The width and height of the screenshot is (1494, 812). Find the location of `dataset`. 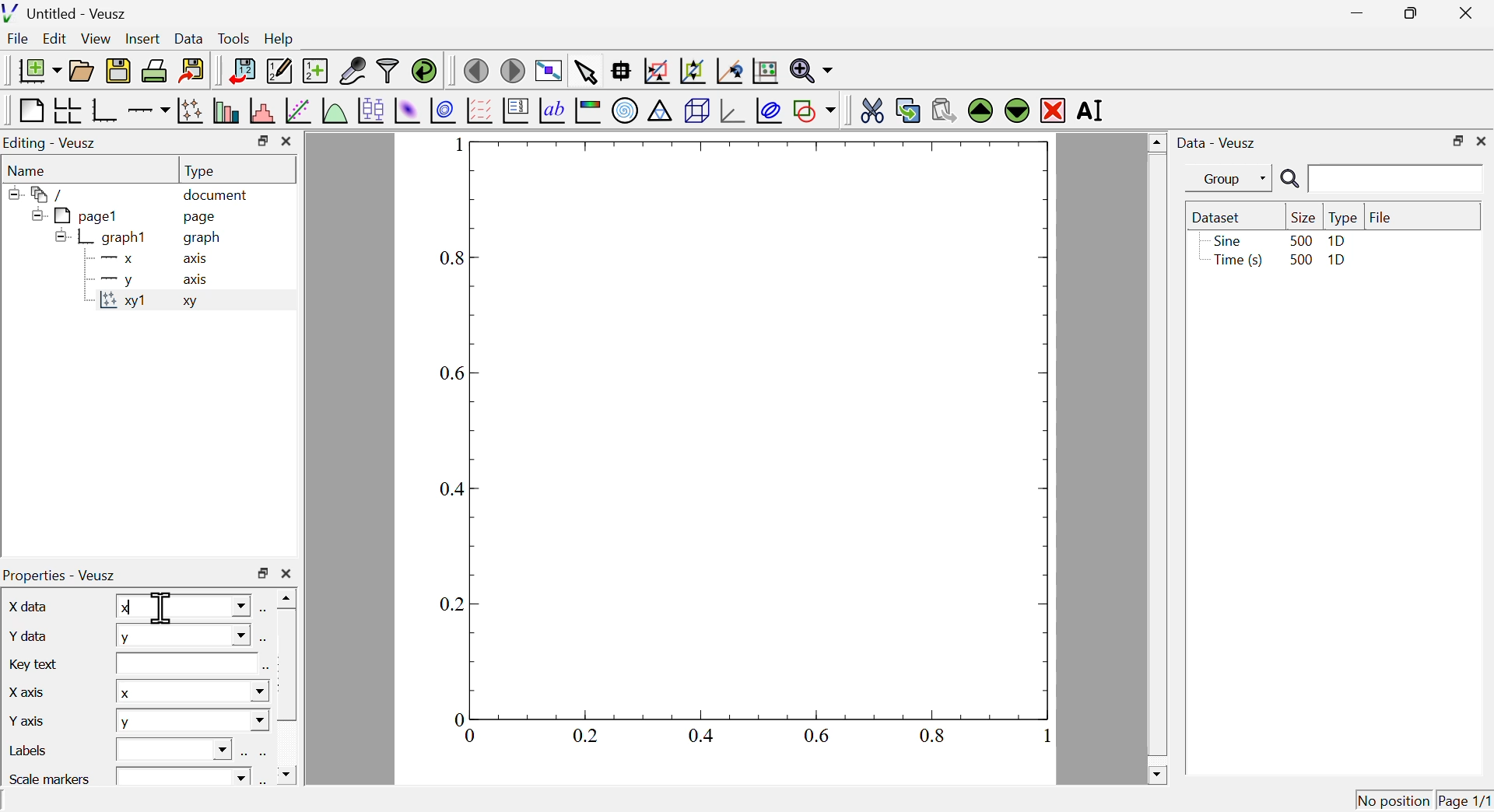

dataset is located at coordinates (1220, 217).